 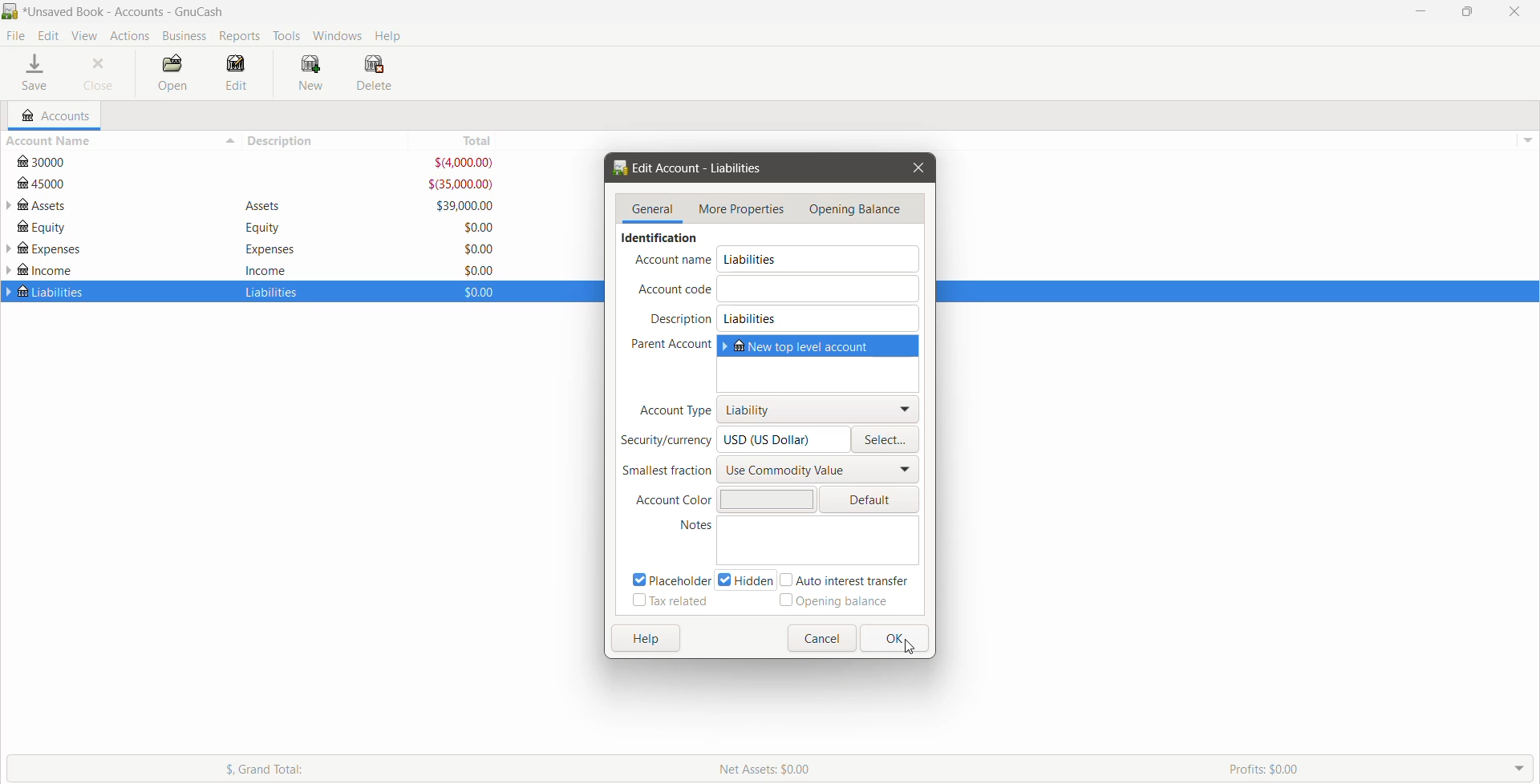 What do you see at coordinates (911, 648) in the screenshot?
I see `Cursor` at bounding box center [911, 648].